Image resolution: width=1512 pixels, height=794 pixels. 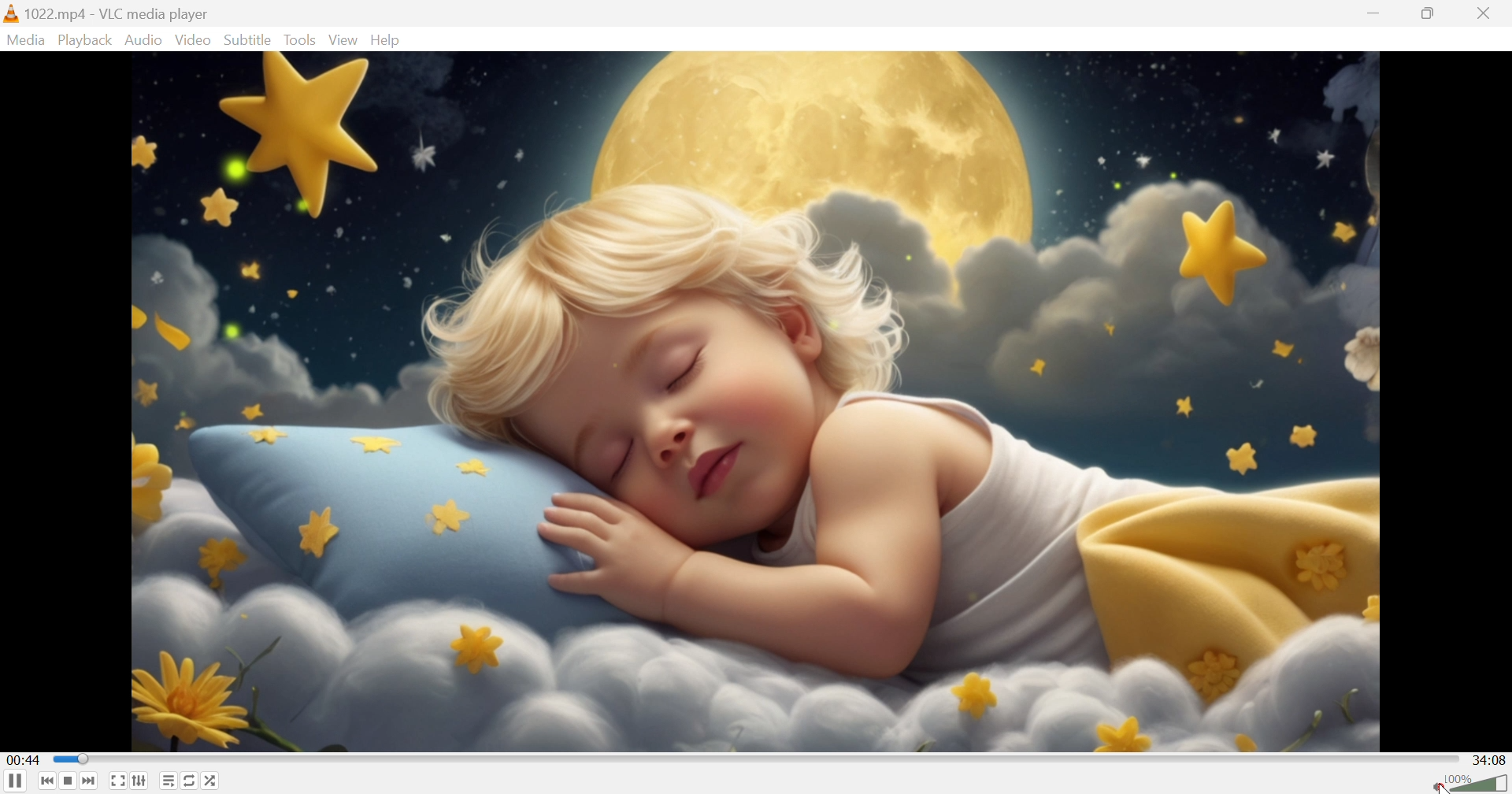 I want to click on Close, so click(x=1490, y=13).